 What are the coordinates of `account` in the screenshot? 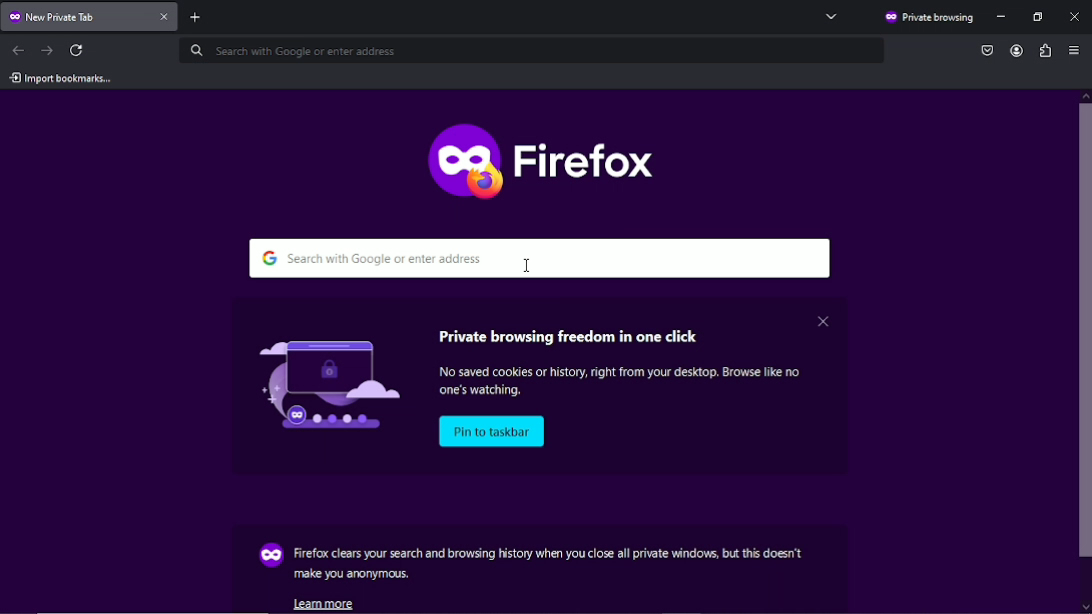 It's located at (1014, 51).